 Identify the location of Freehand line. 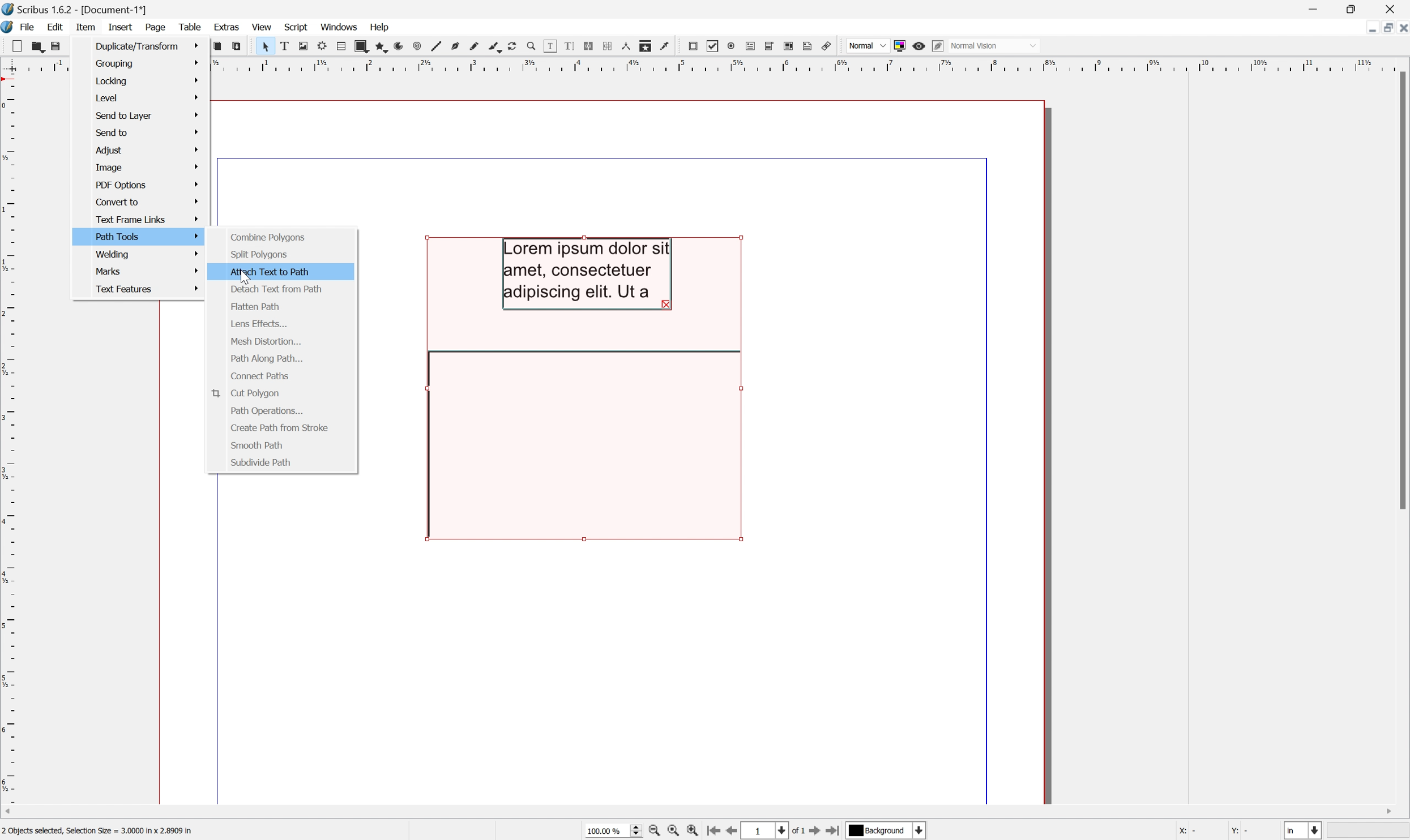
(473, 48).